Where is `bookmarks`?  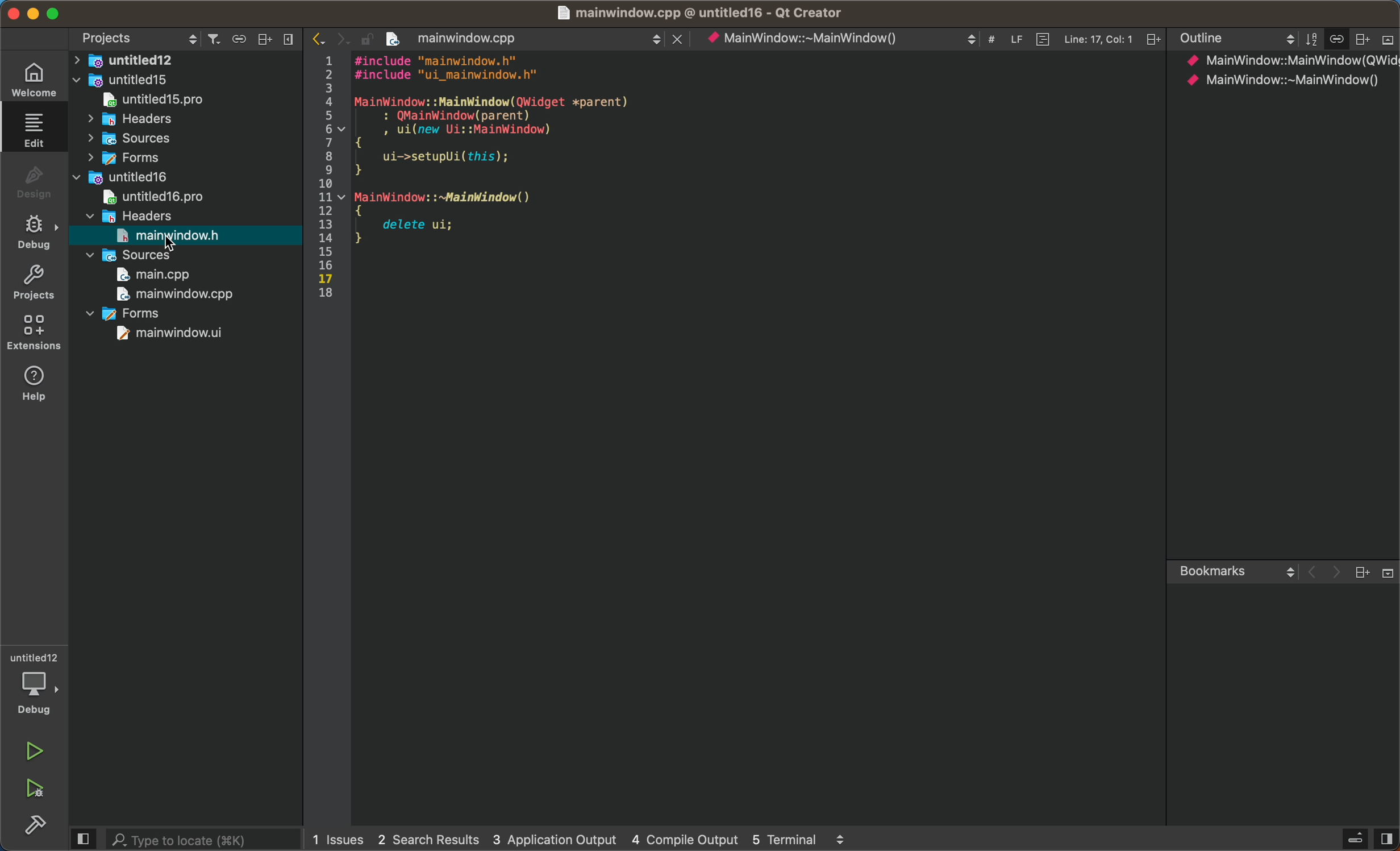 bookmarks is located at coordinates (1284, 687).